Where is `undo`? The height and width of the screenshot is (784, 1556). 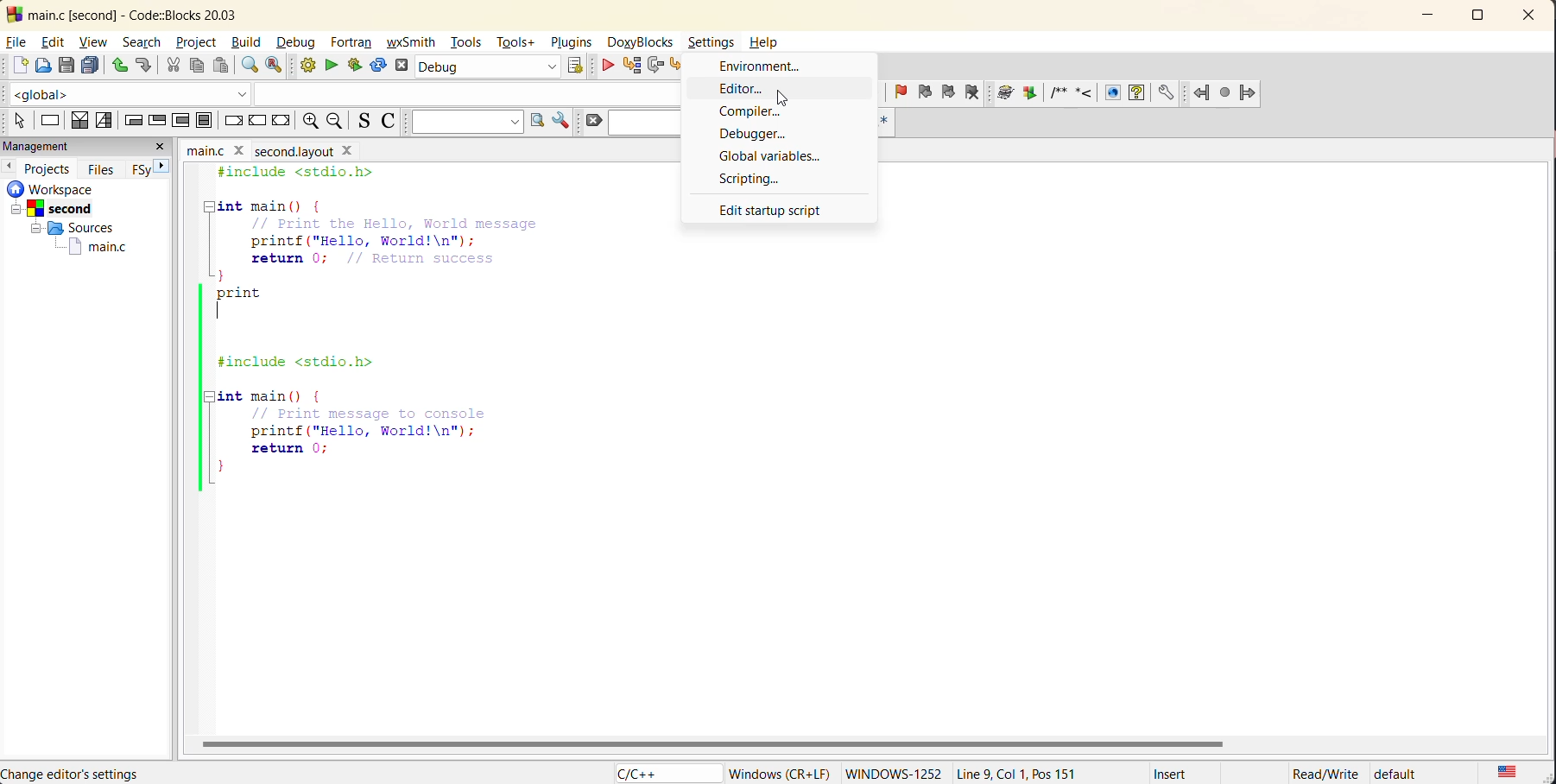 undo is located at coordinates (117, 64).